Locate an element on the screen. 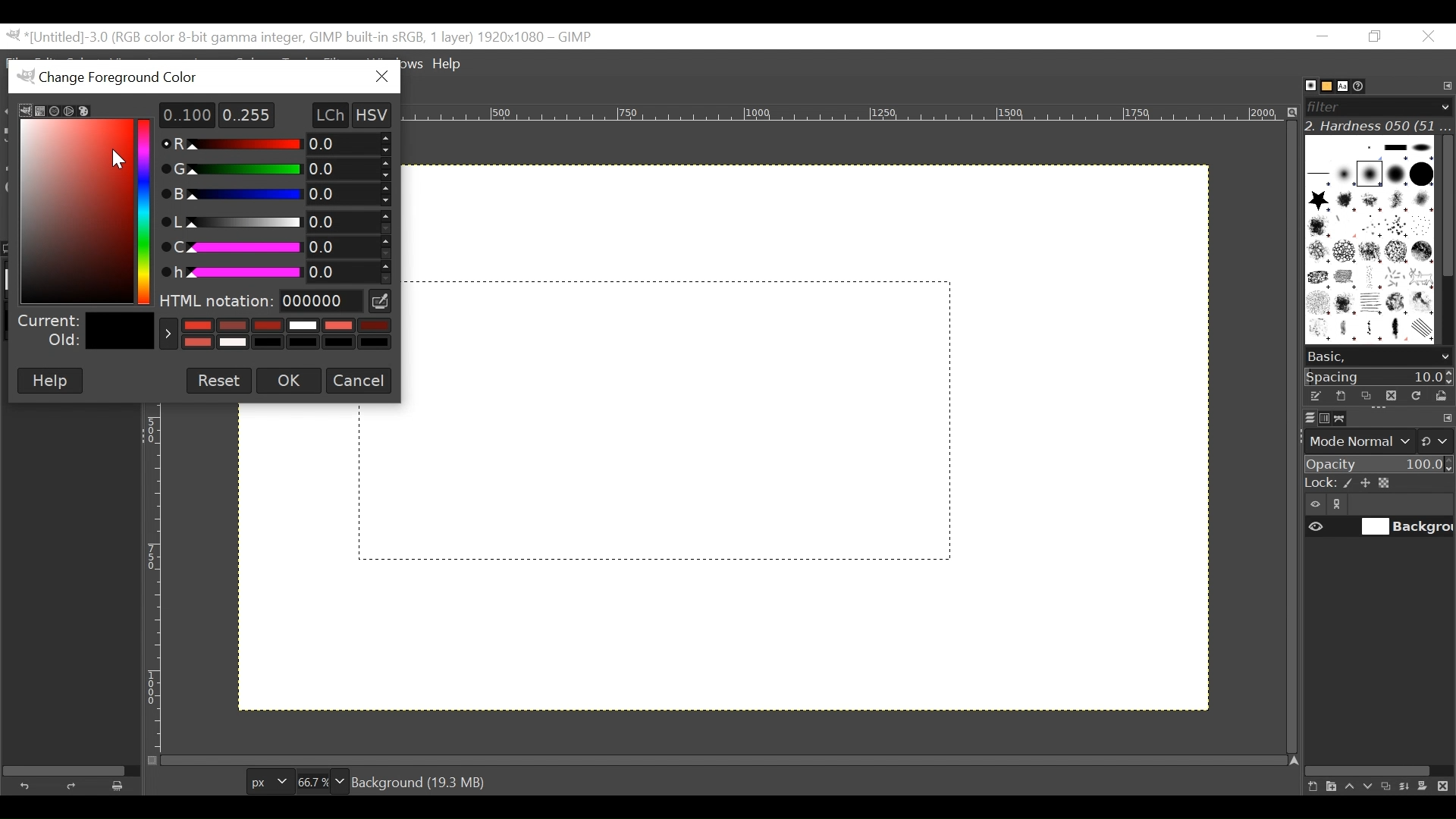 This screenshot has height=819, width=1456. Click the eyedropper is located at coordinates (381, 301).